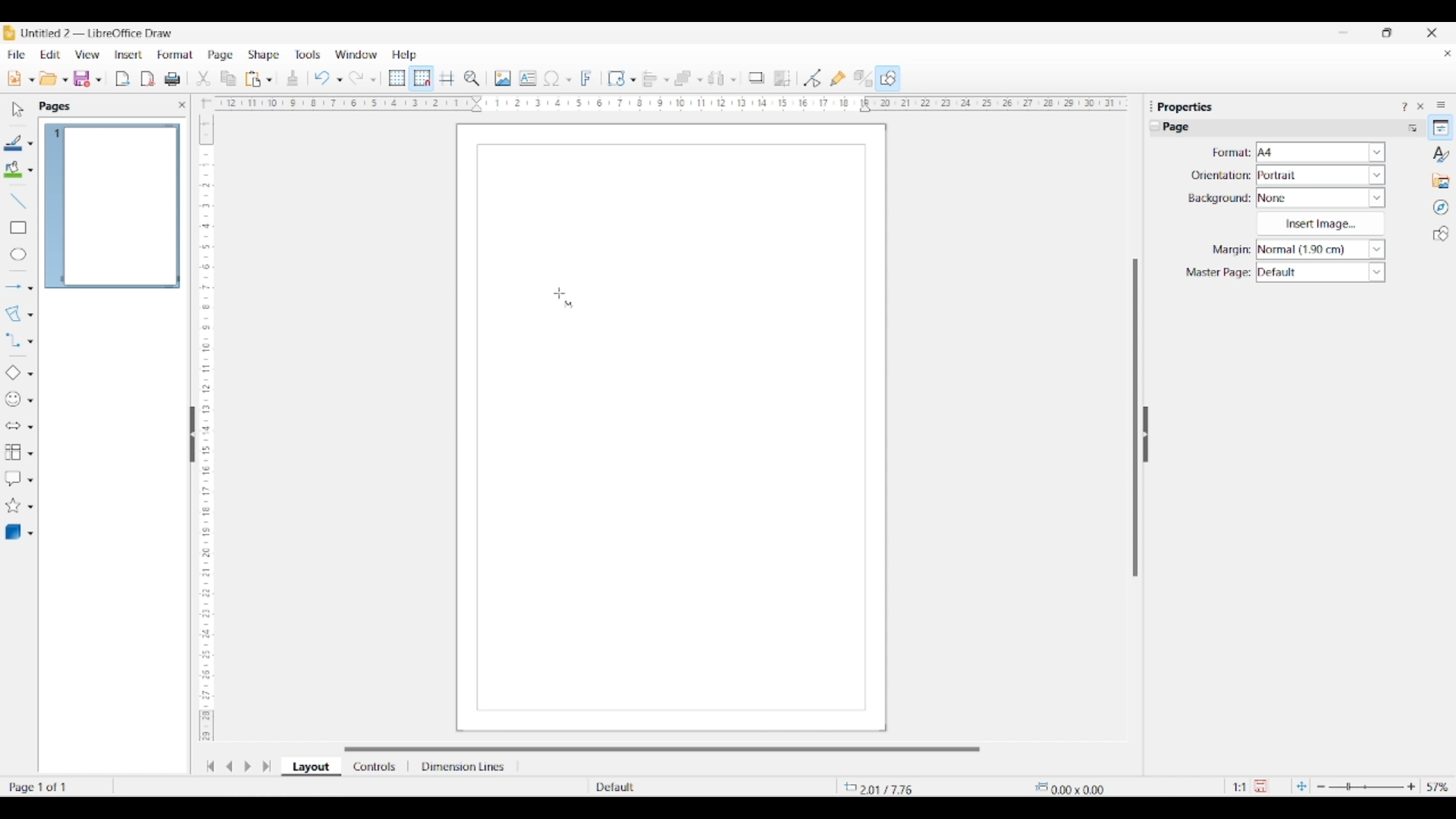 This screenshot has width=1456, height=819. I want to click on Zoom factor, so click(1439, 787).